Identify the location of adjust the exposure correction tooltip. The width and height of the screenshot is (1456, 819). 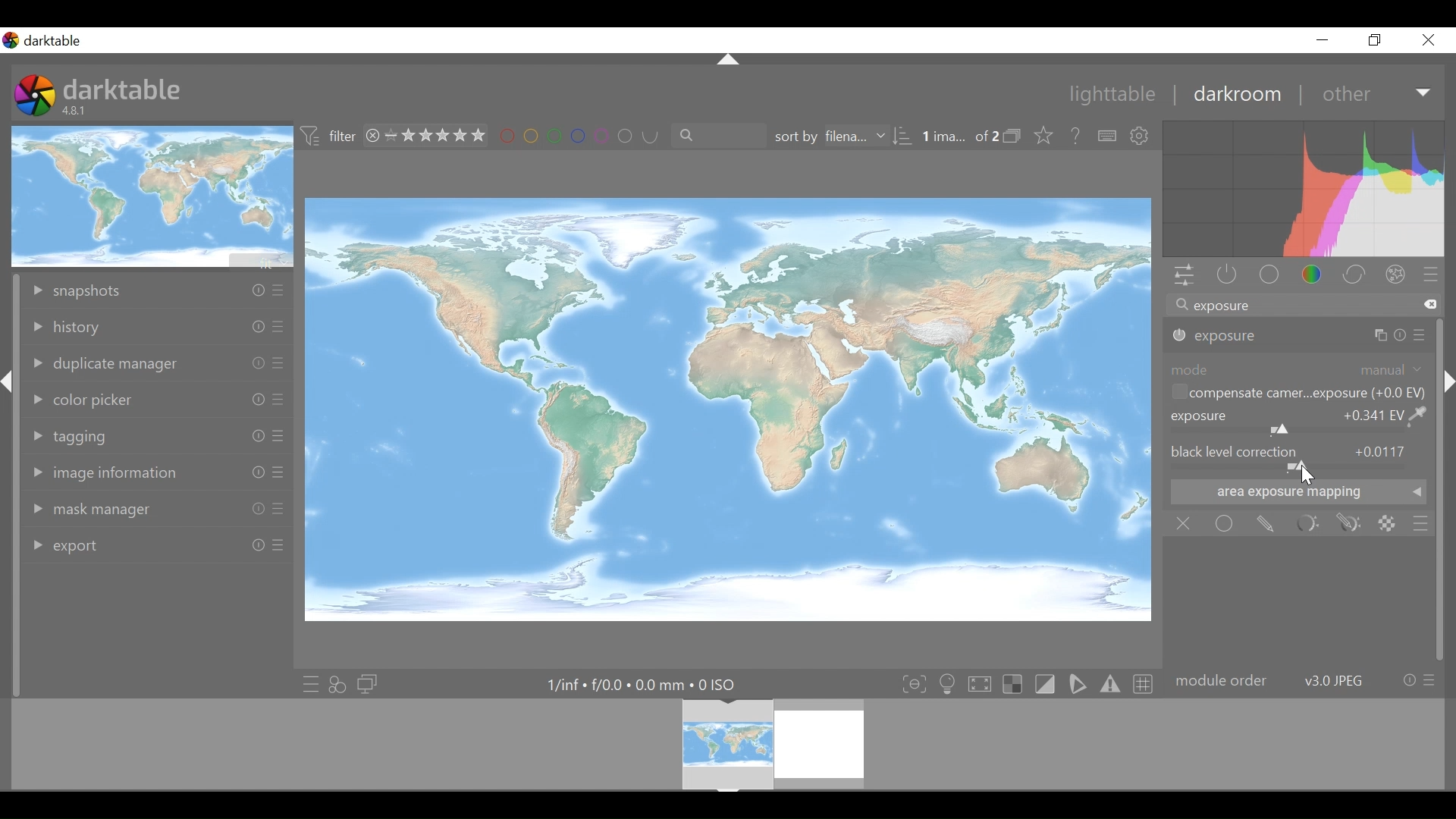
(1286, 475).